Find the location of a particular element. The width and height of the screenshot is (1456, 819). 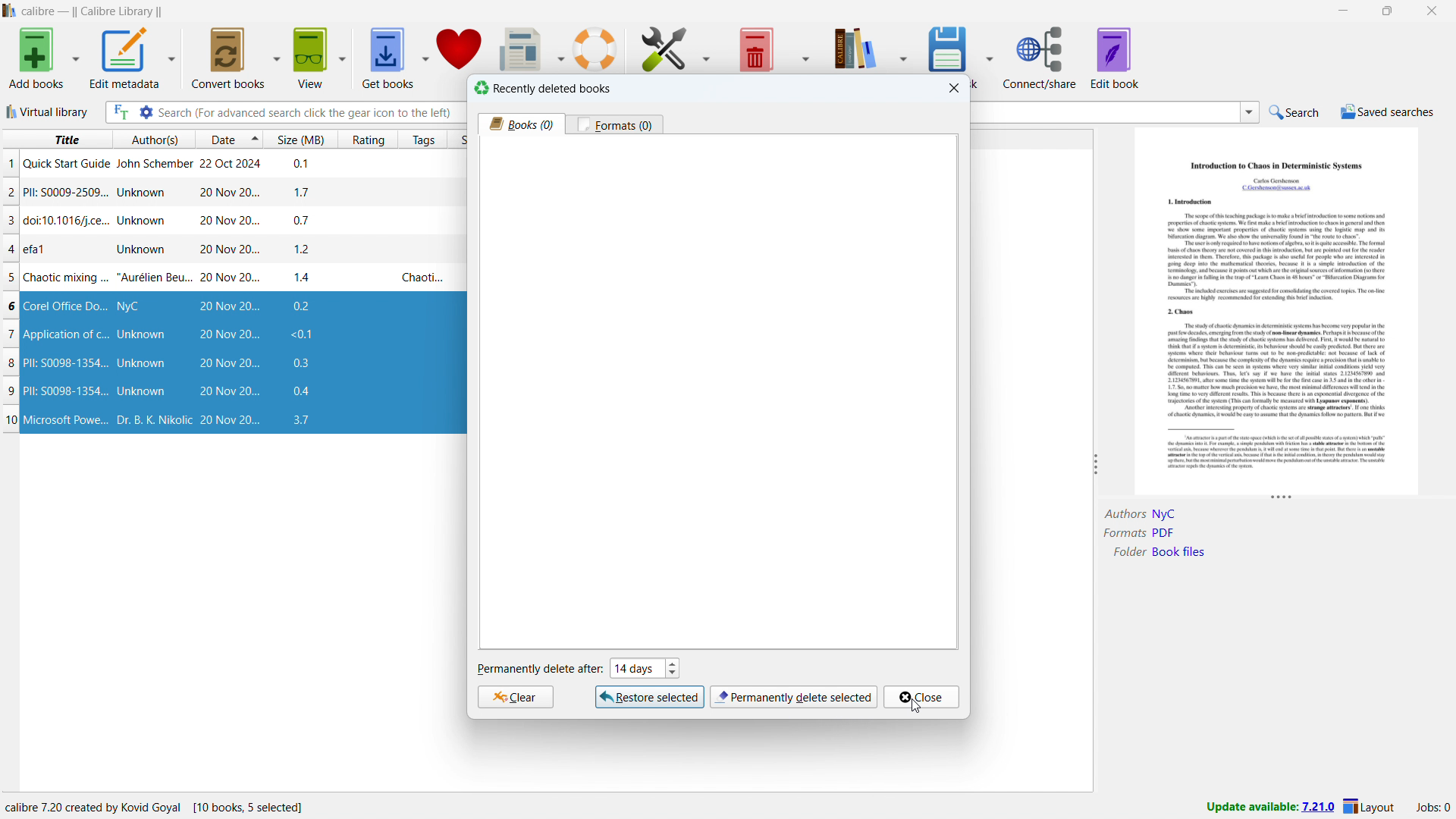

sort by title is located at coordinates (52, 139).